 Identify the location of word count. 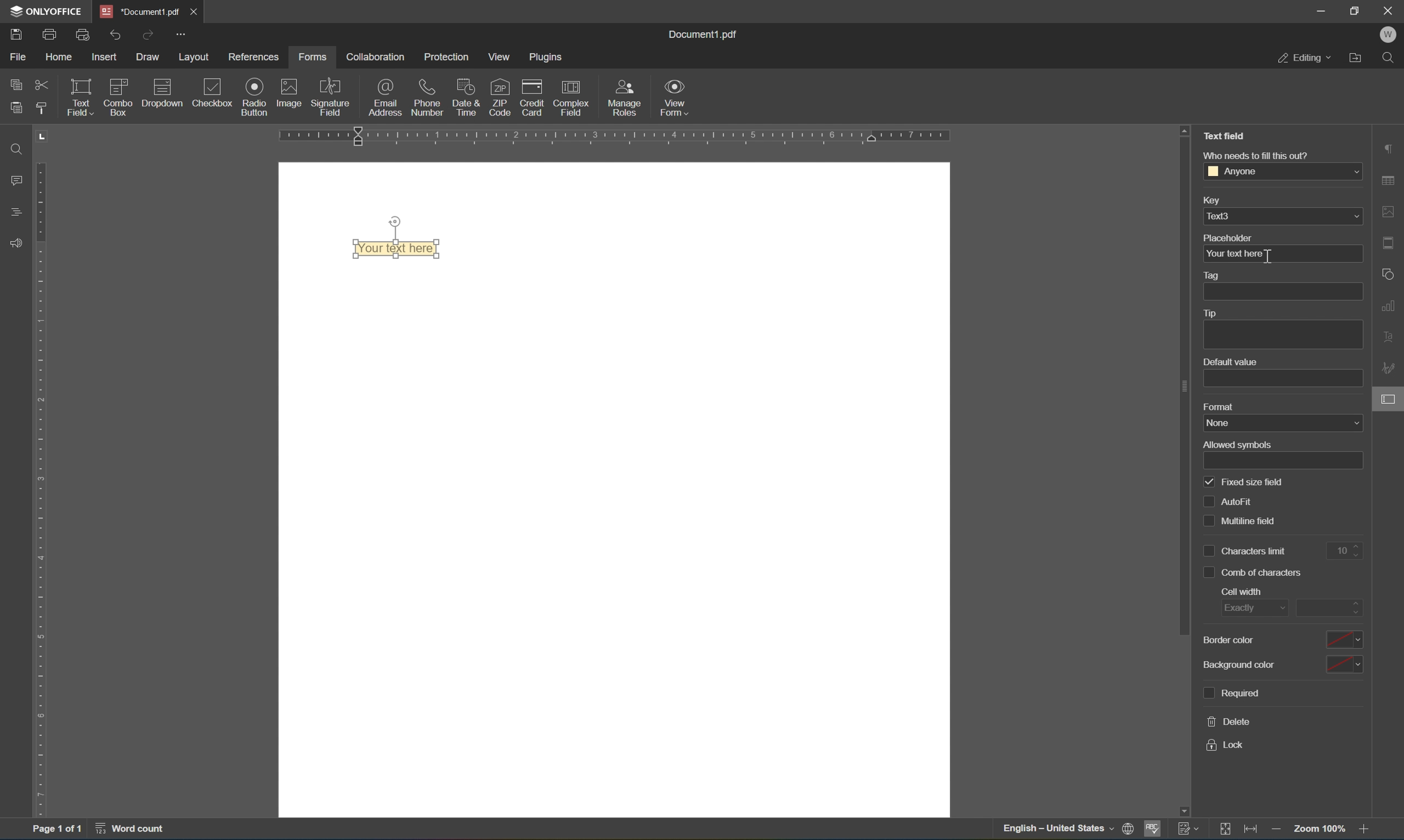
(134, 830).